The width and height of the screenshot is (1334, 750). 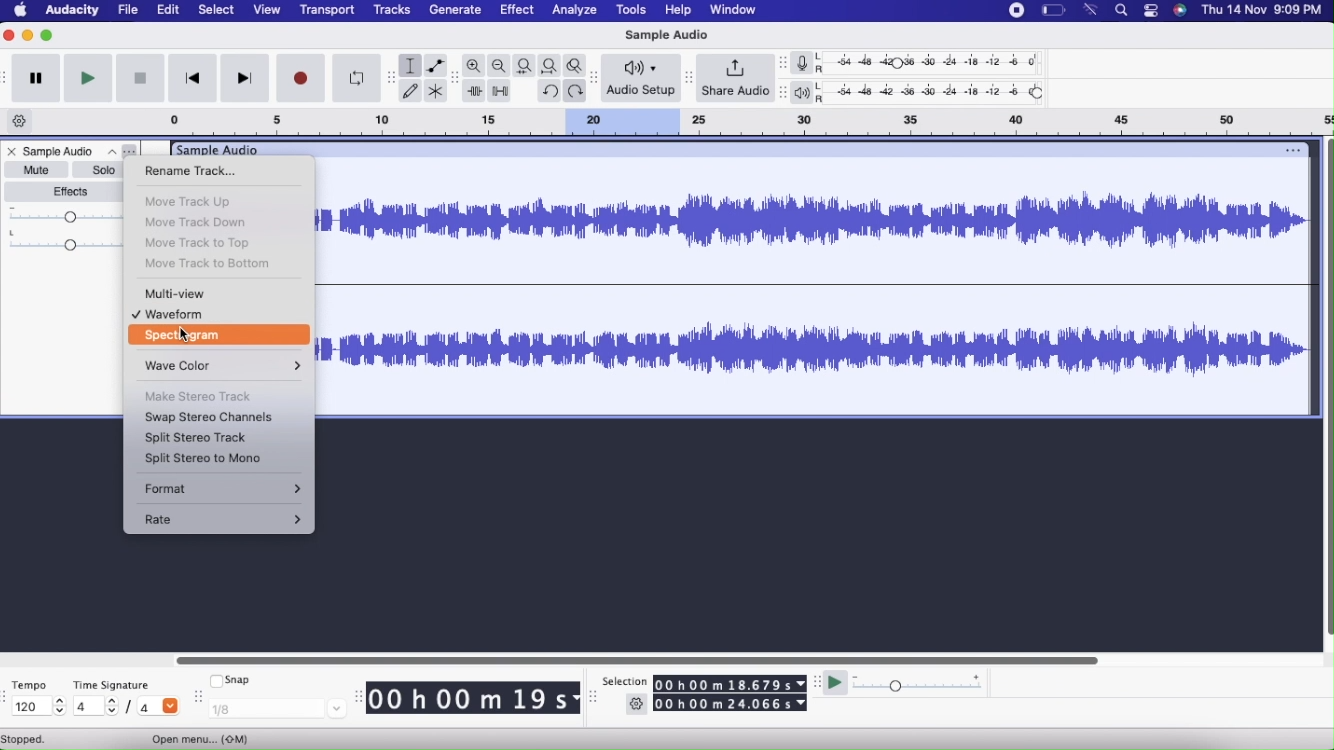 I want to click on network, so click(x=1090, y=11).